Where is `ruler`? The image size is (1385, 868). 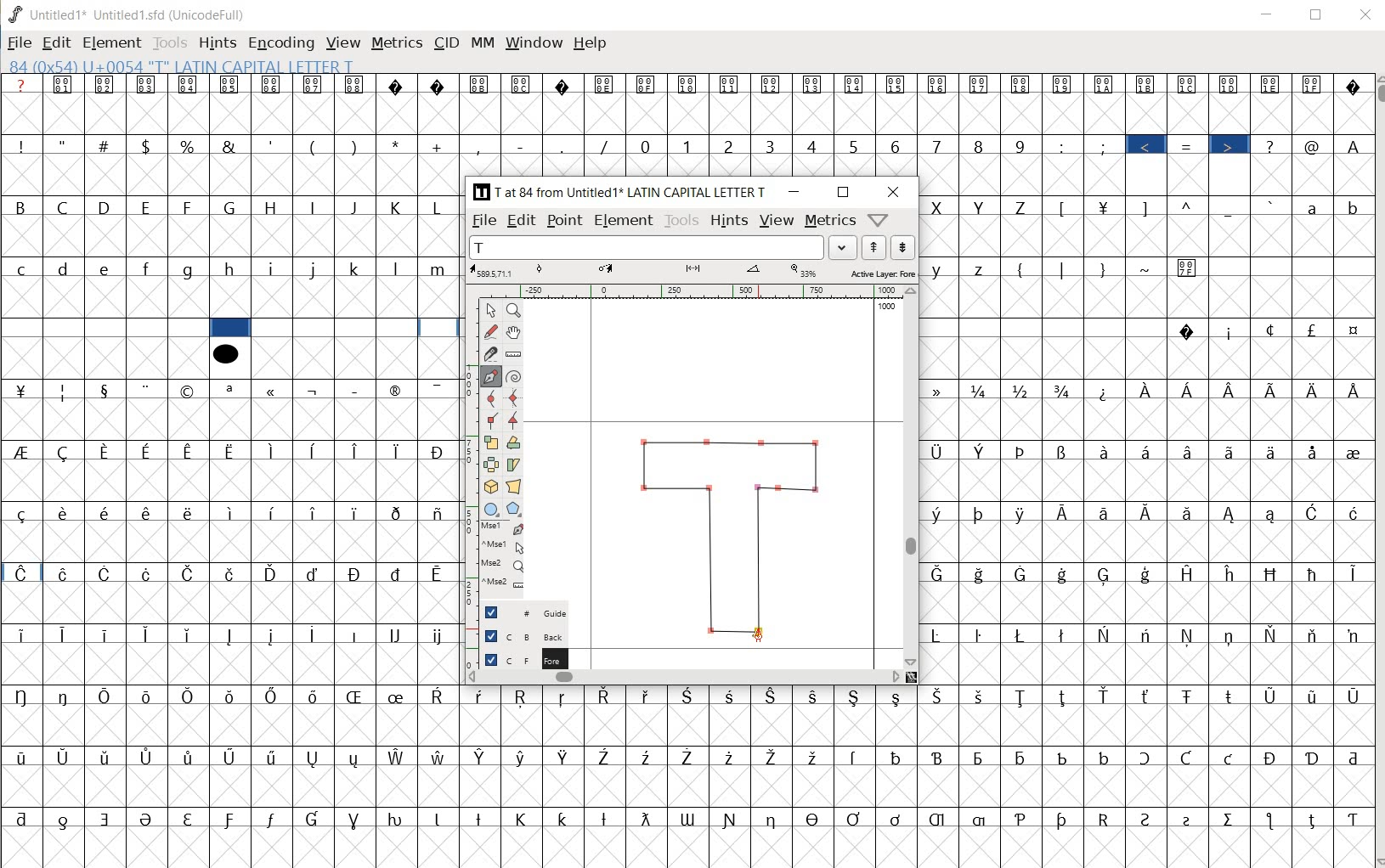 ruler is located at coordinates (688, 291).